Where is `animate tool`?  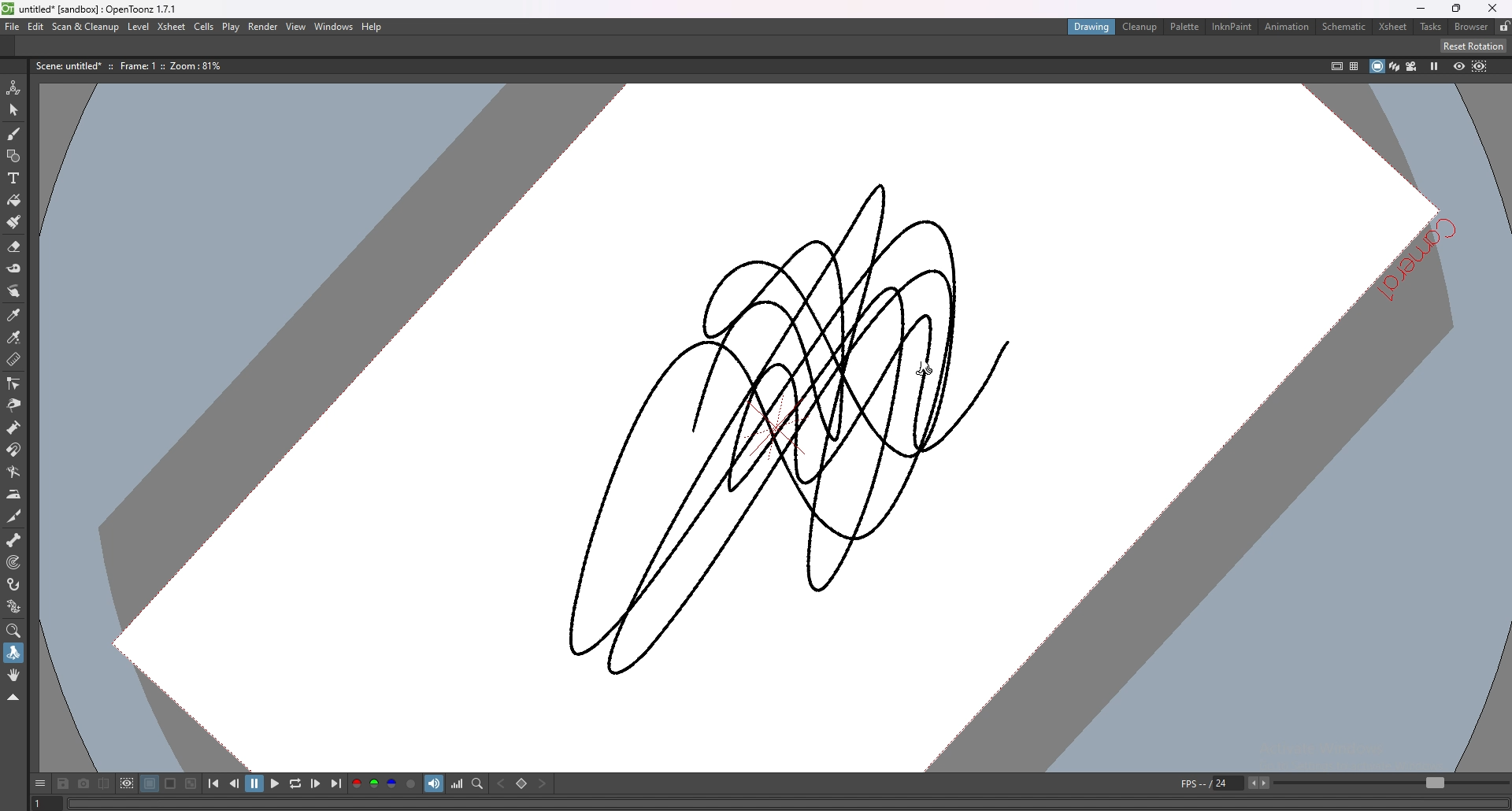 animate tool is located at coordinates (13, 88).